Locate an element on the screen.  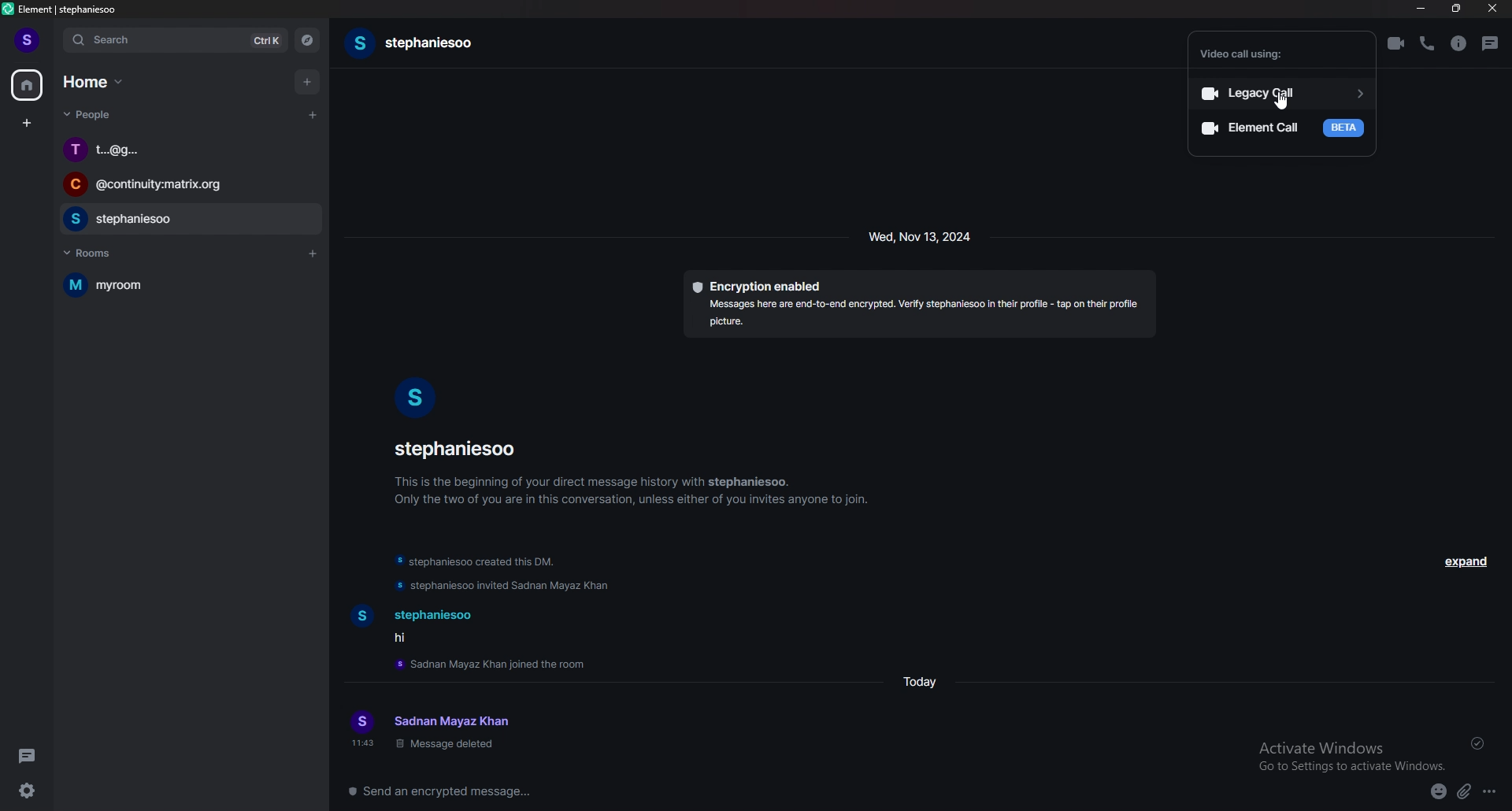
options is located at coordinates (1497, 794).